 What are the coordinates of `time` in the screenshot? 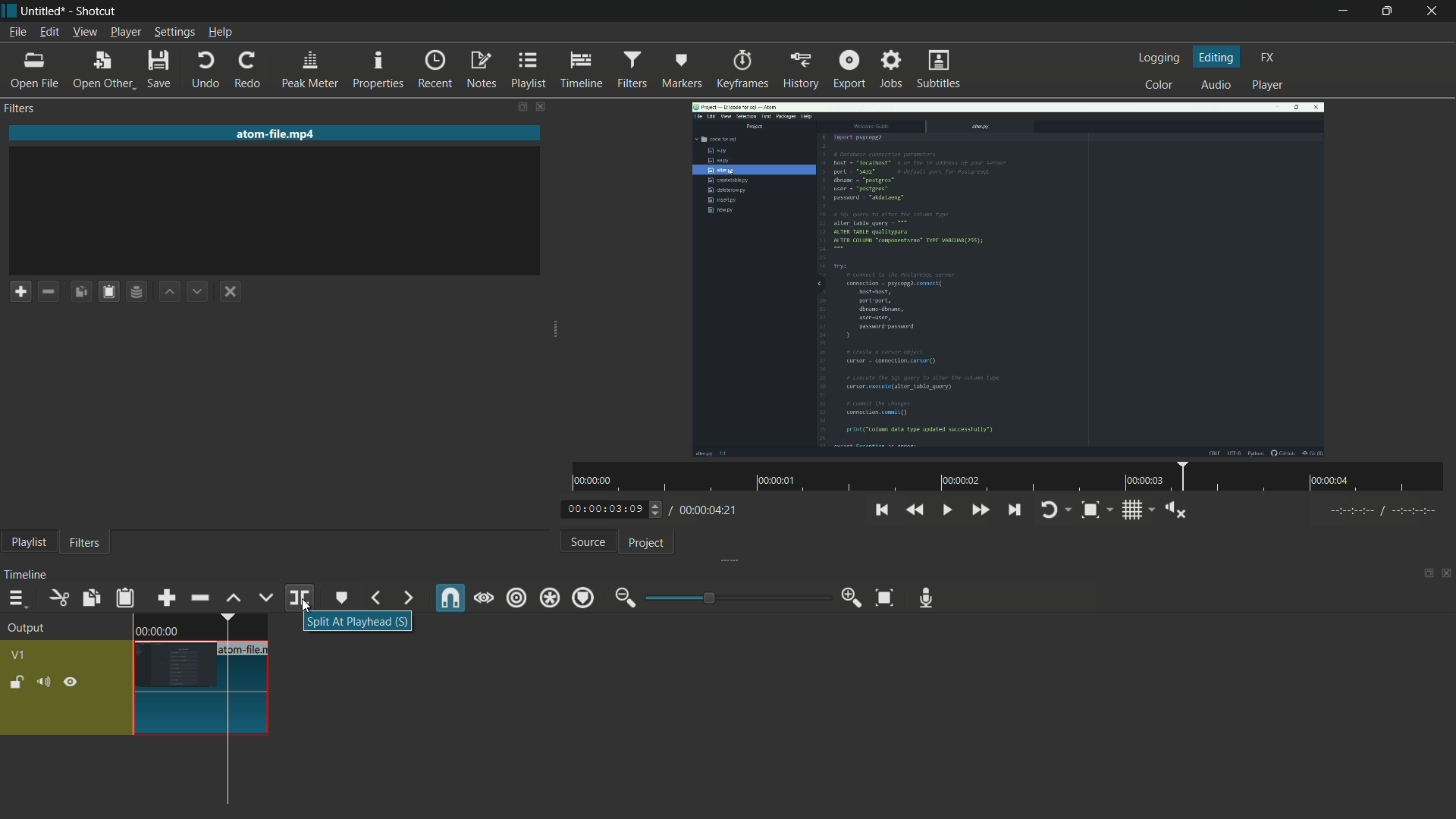 It's located at (1005, 478).